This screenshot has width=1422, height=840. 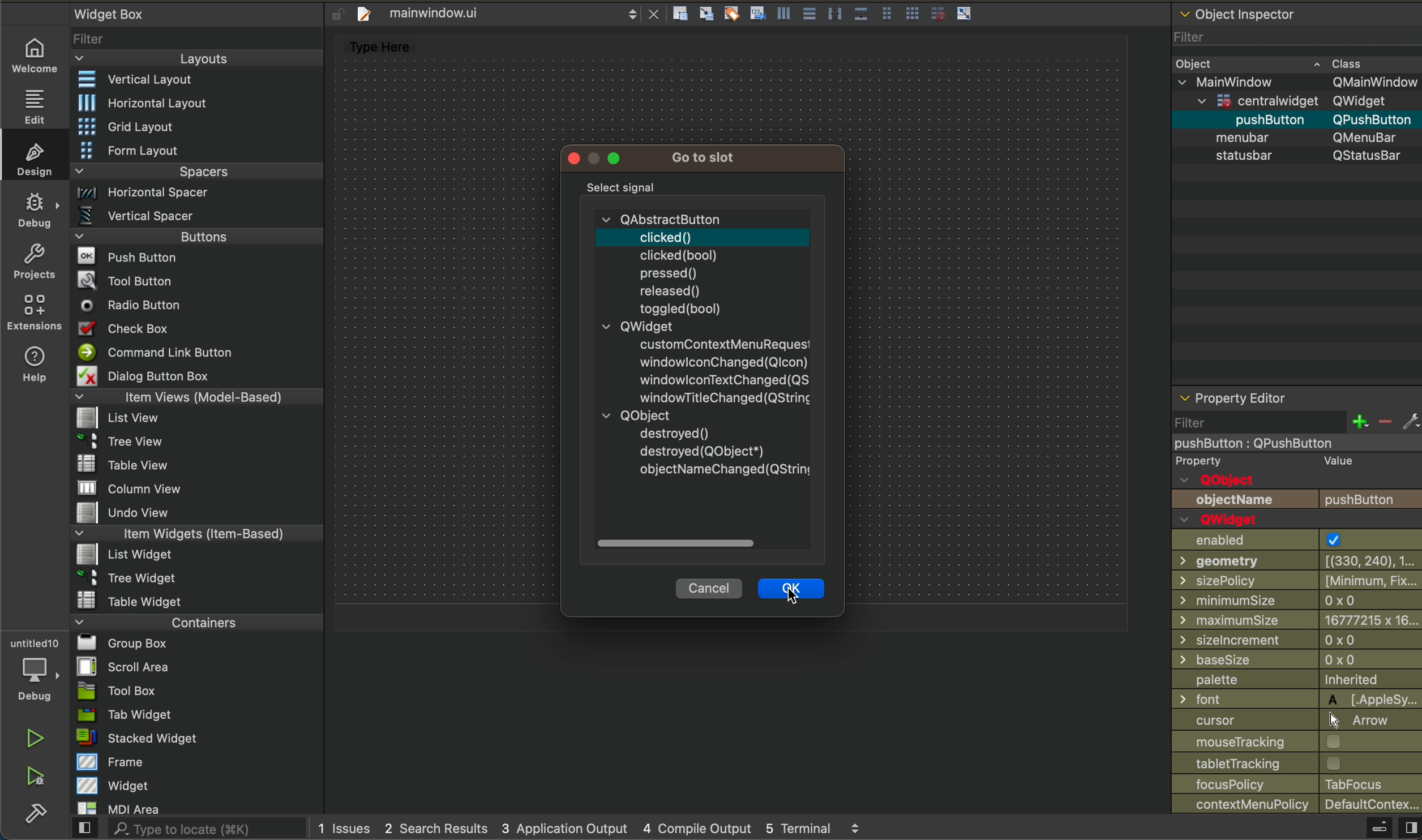 What do you see at coordinates (657, 14) in the screenshot?
I see `close` at bounding box center [657, 14].